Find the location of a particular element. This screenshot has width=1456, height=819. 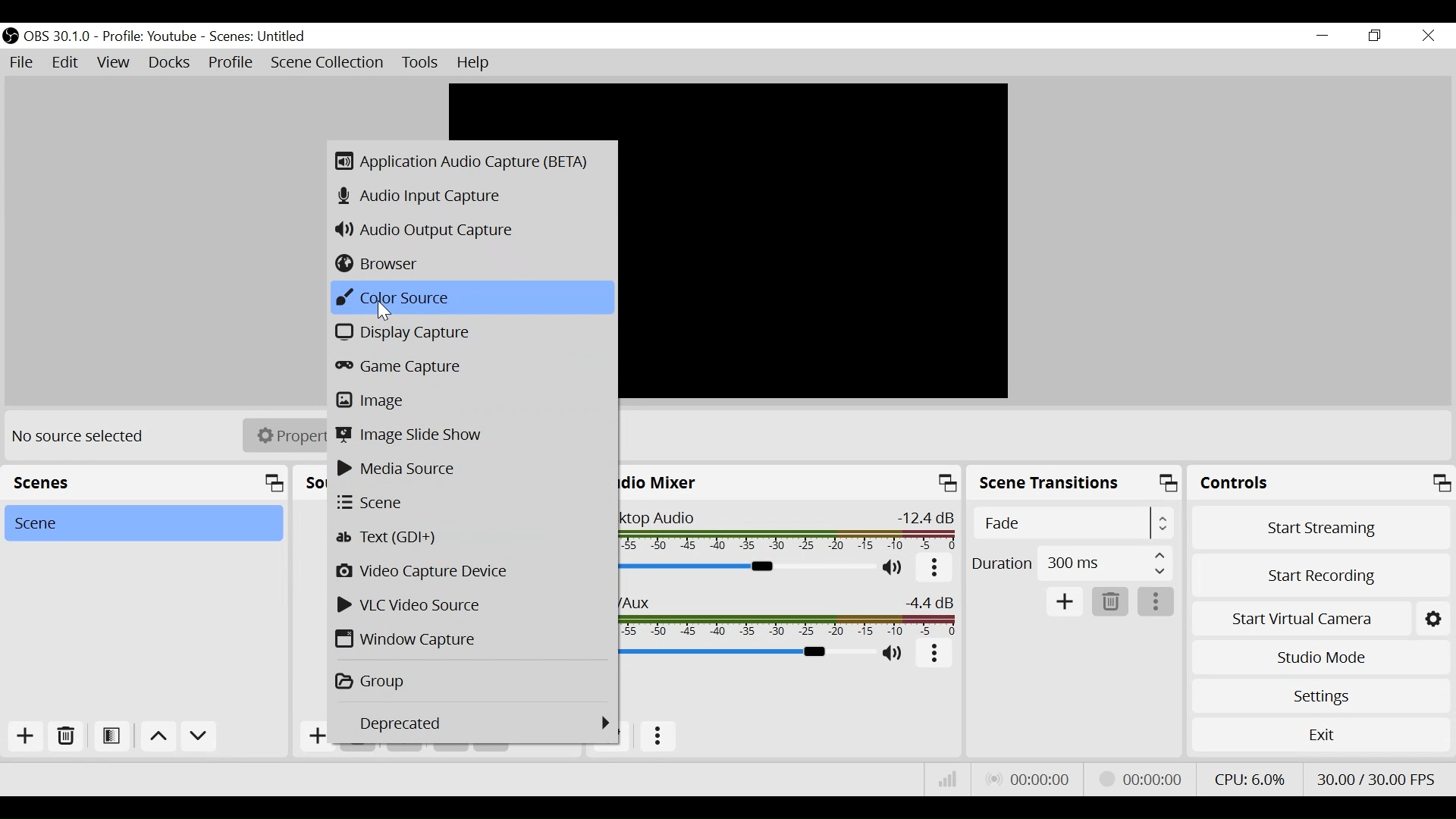

More Options is located at coordinates (662, 734).